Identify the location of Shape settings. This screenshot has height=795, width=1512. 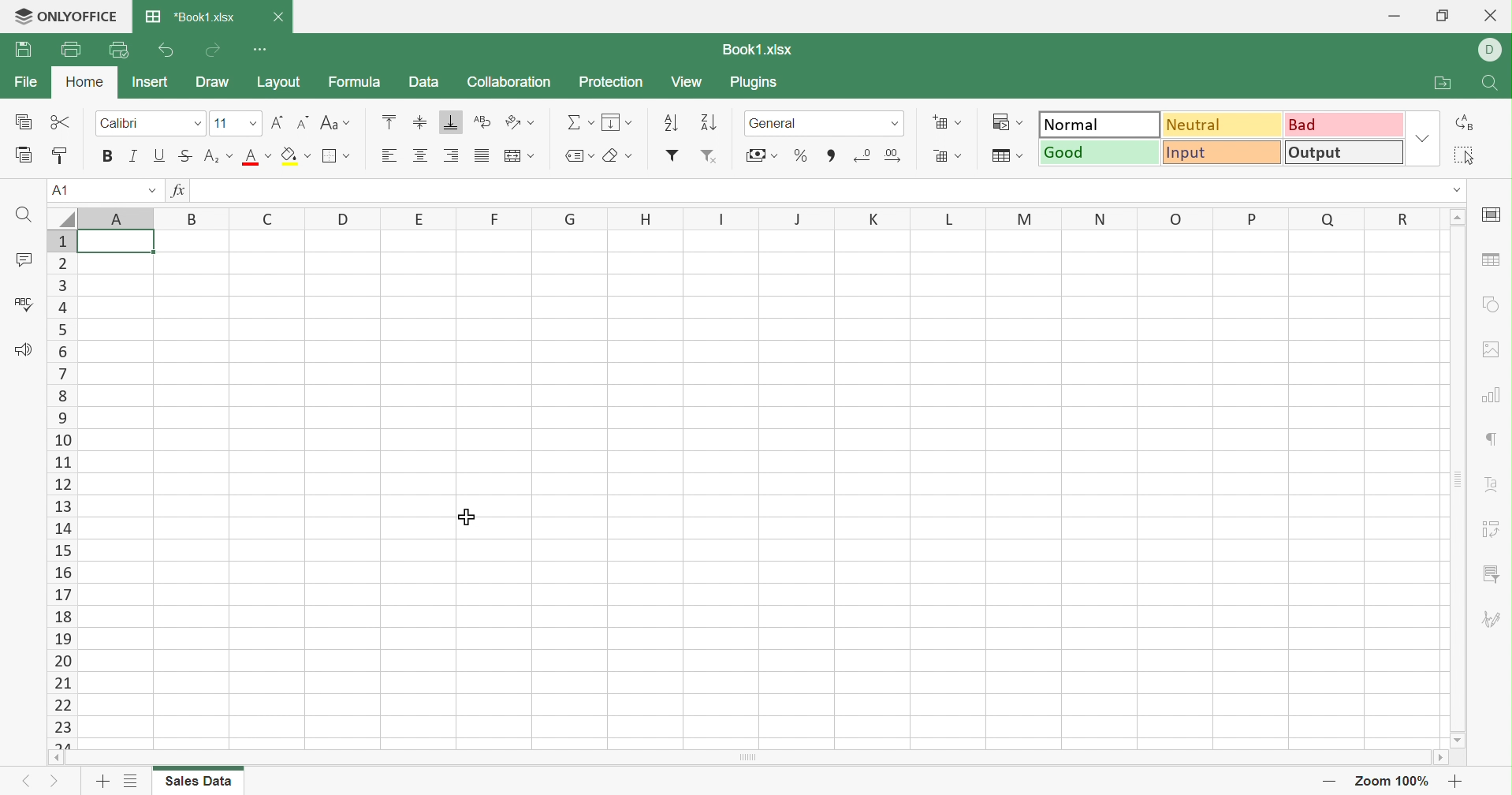
(1491, 303).